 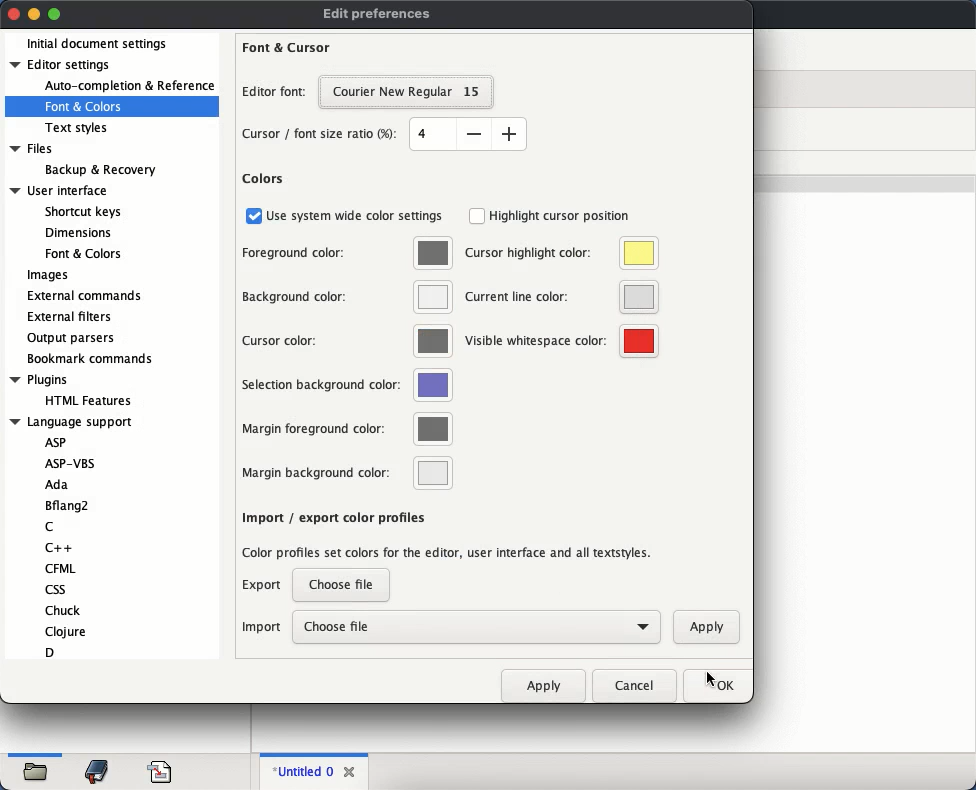 What do you see at coordinates (347, 341) in the screenshot?
I see `cursor color` at bounding box center [347, 341].